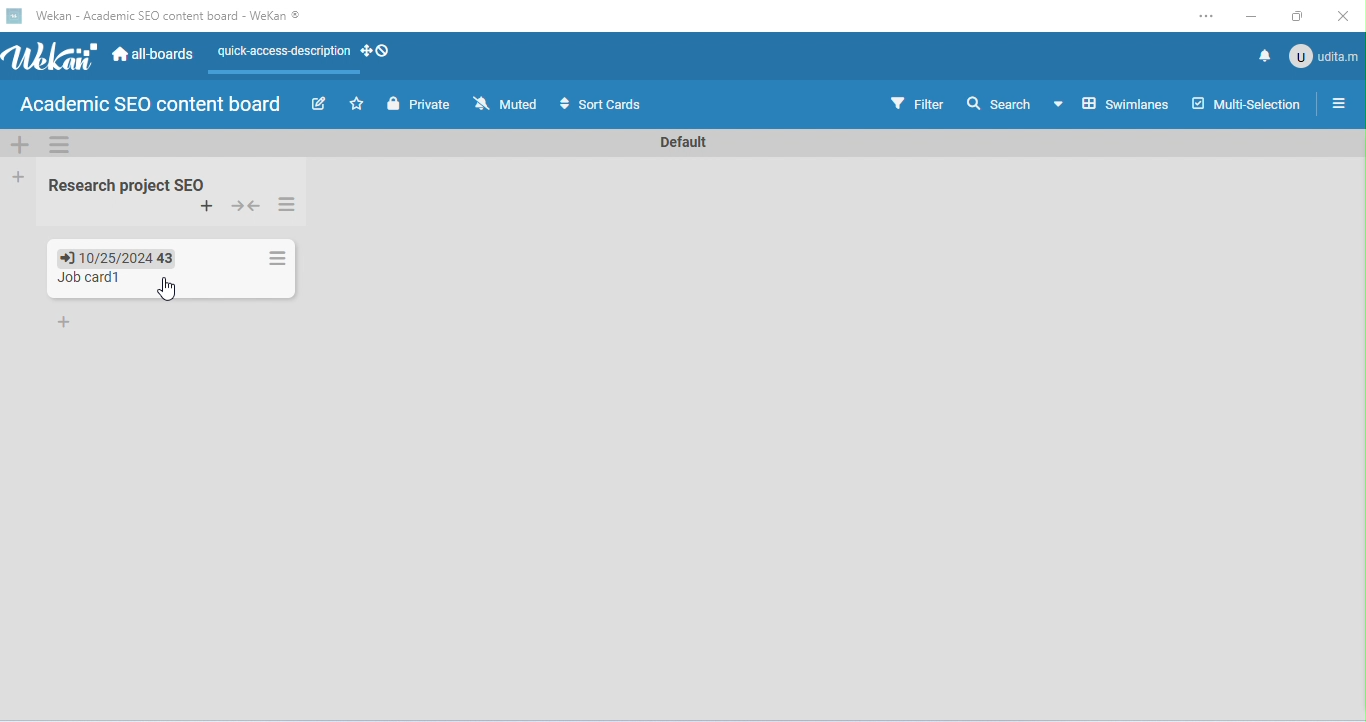 The width and height of the screenshot is (1366, 722). What do you see at coordinates (61, 144) in the screenshot?
I see `swimlane actions` at bounding box center [61, 144].